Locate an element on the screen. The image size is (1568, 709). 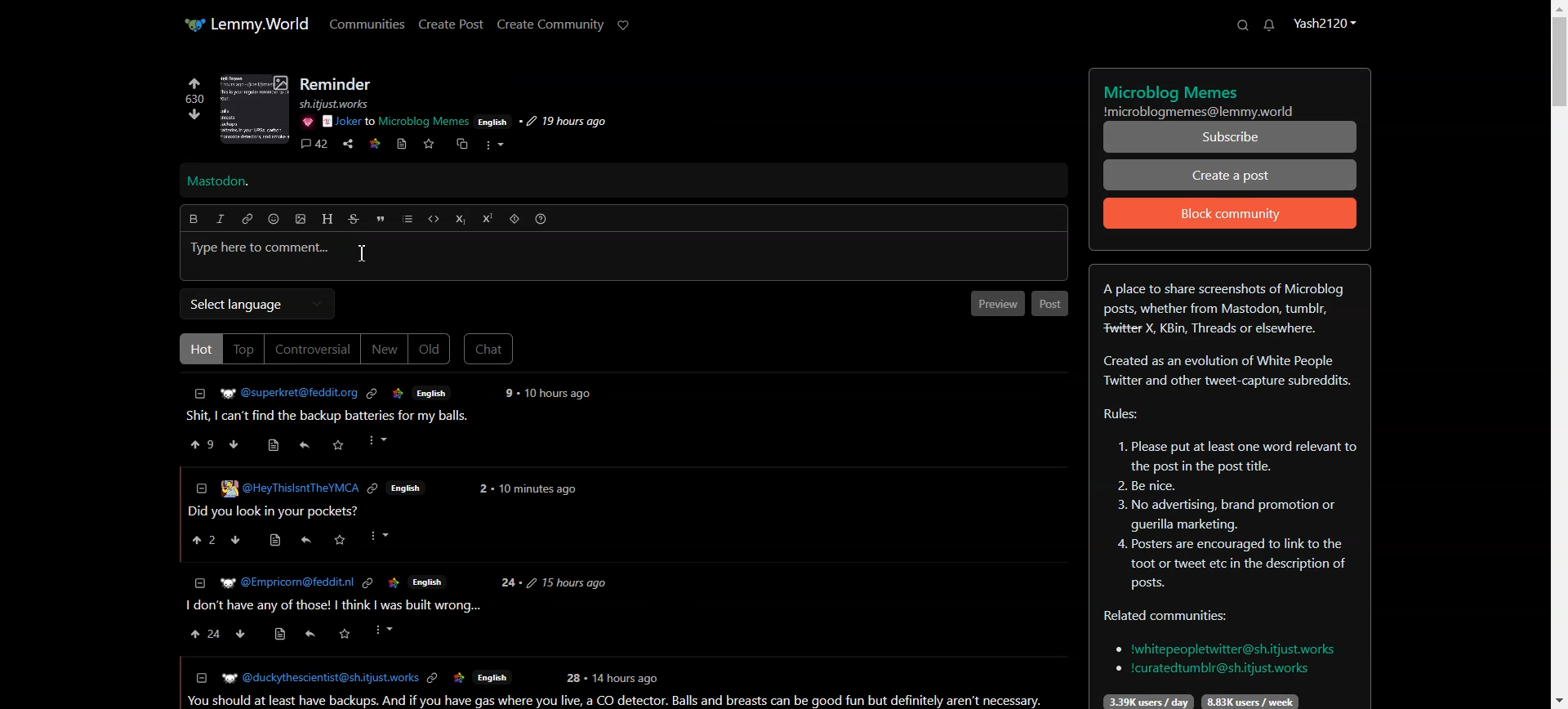
English is located at coordinates (408, 488).